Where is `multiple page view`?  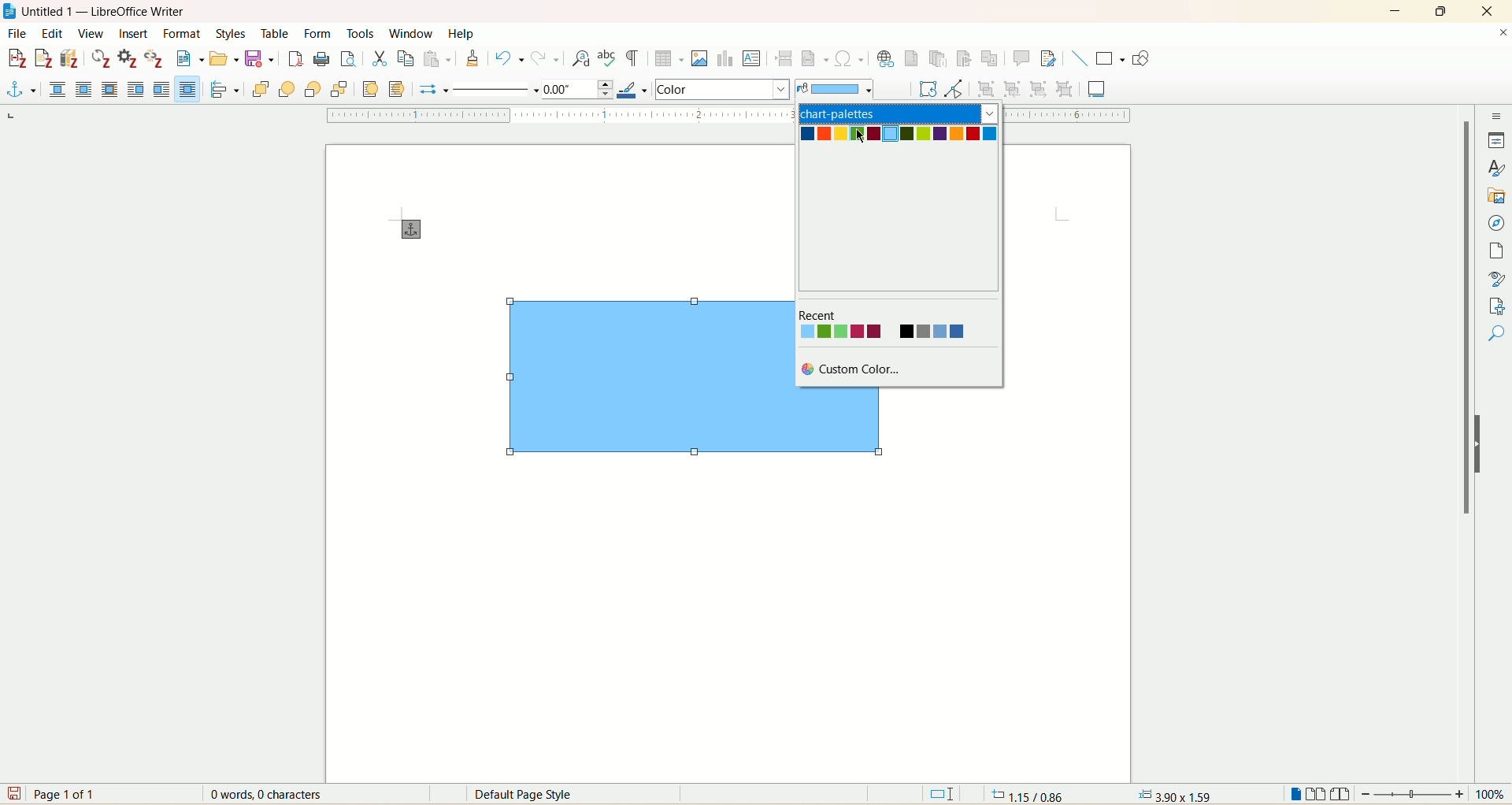 multiple page view is located at coordinates (1317, 796).